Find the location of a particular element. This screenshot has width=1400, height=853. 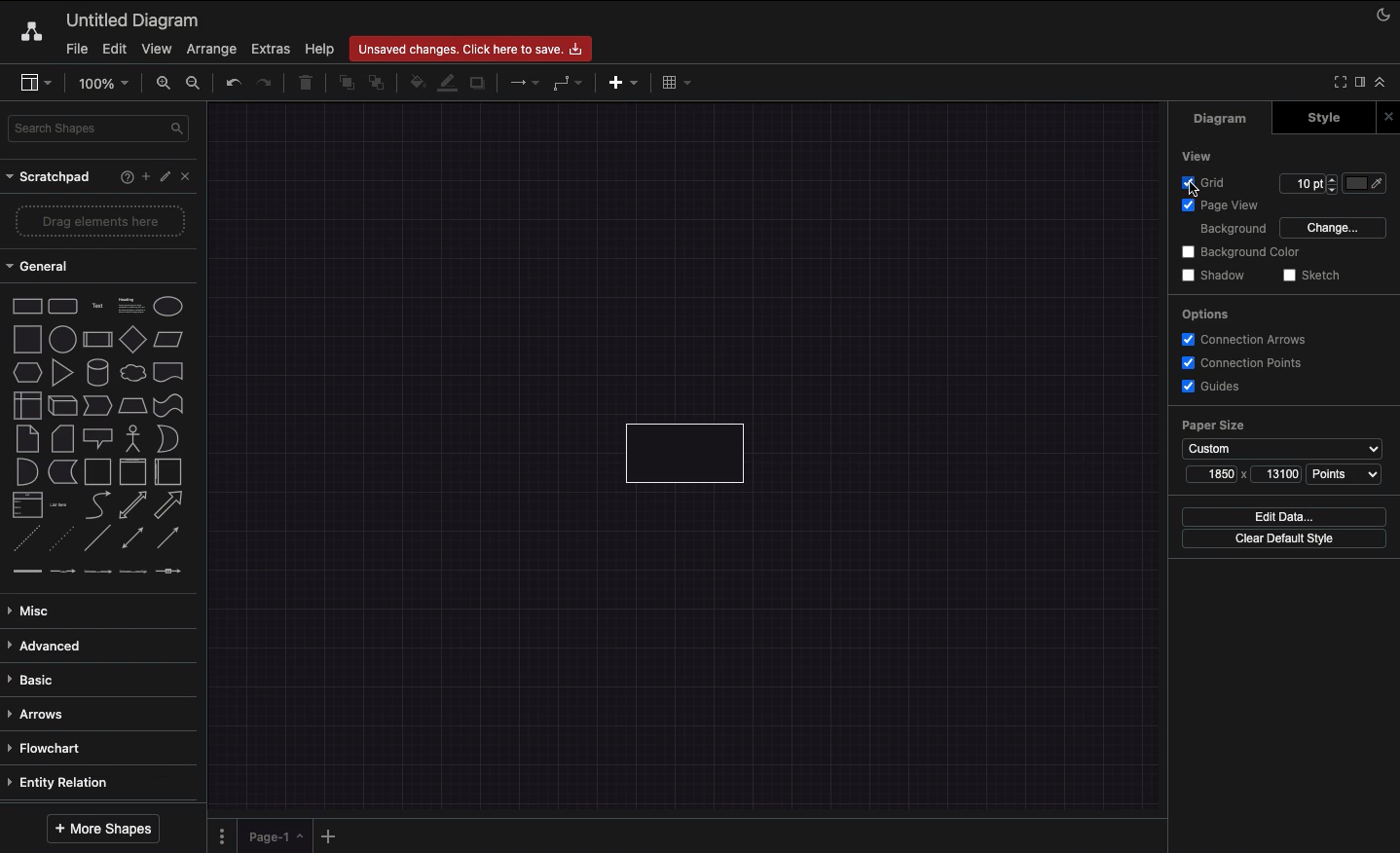

More shapes is located at coordinates (103, 829).